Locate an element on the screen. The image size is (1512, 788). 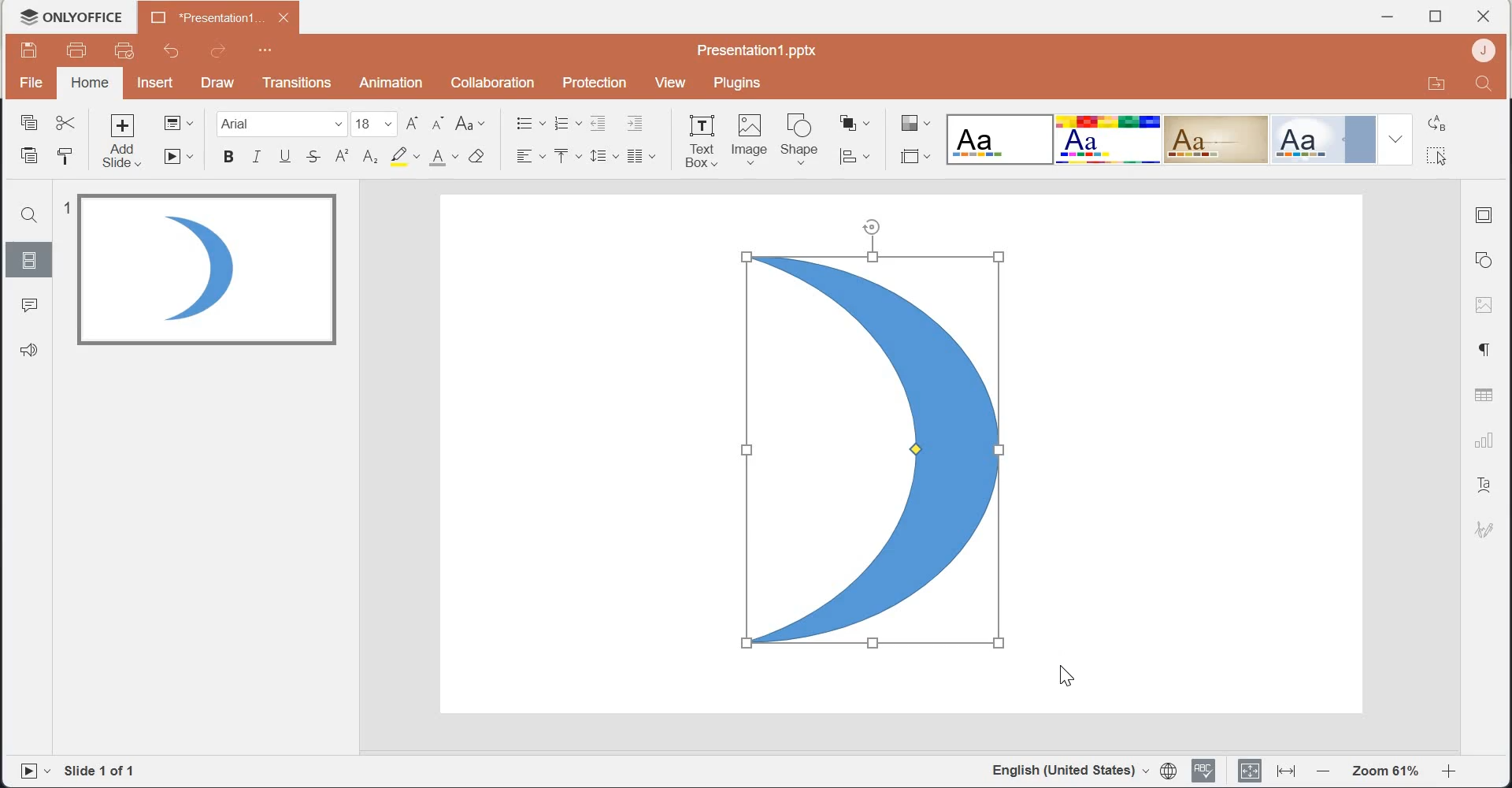
Quick print is located at coordinates (120, 52).